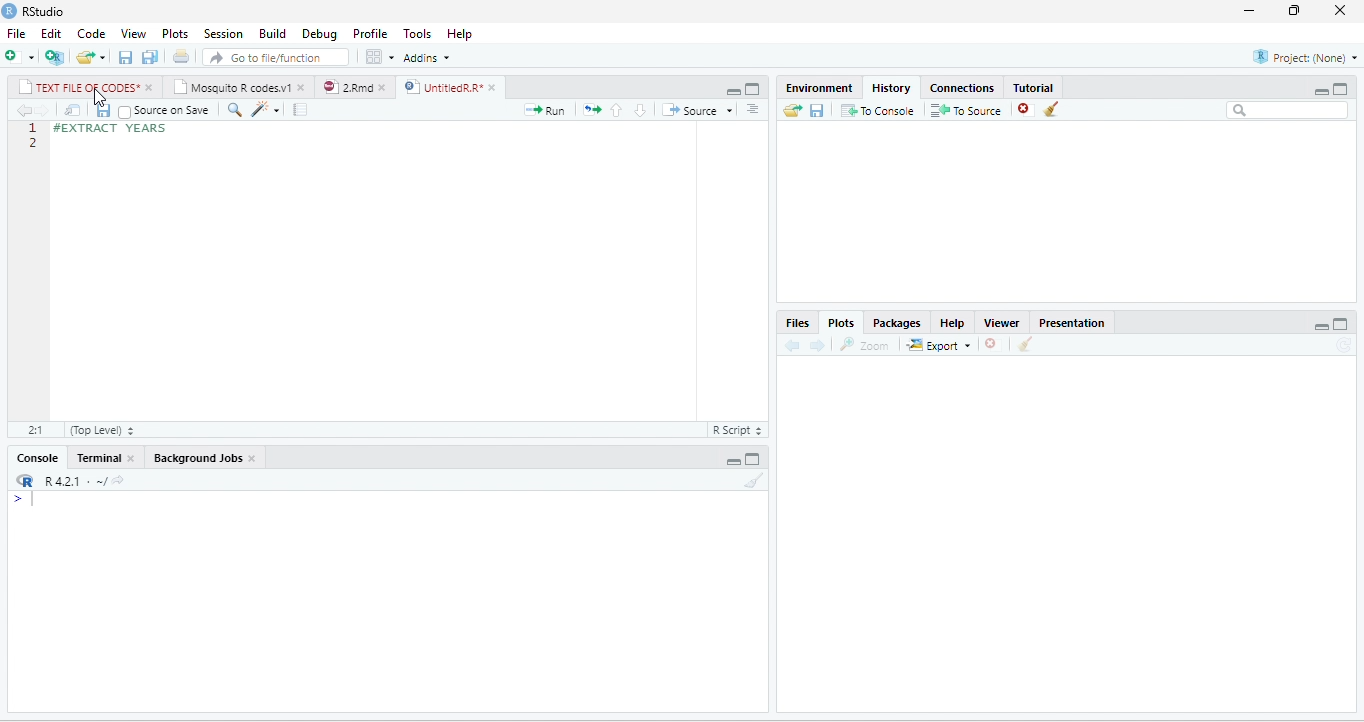 Image resolution: width=1364 pixels, height=722 pixels. Describe the element at coordinates (733, 462) in the screenshot. I see `minimize` at that location.